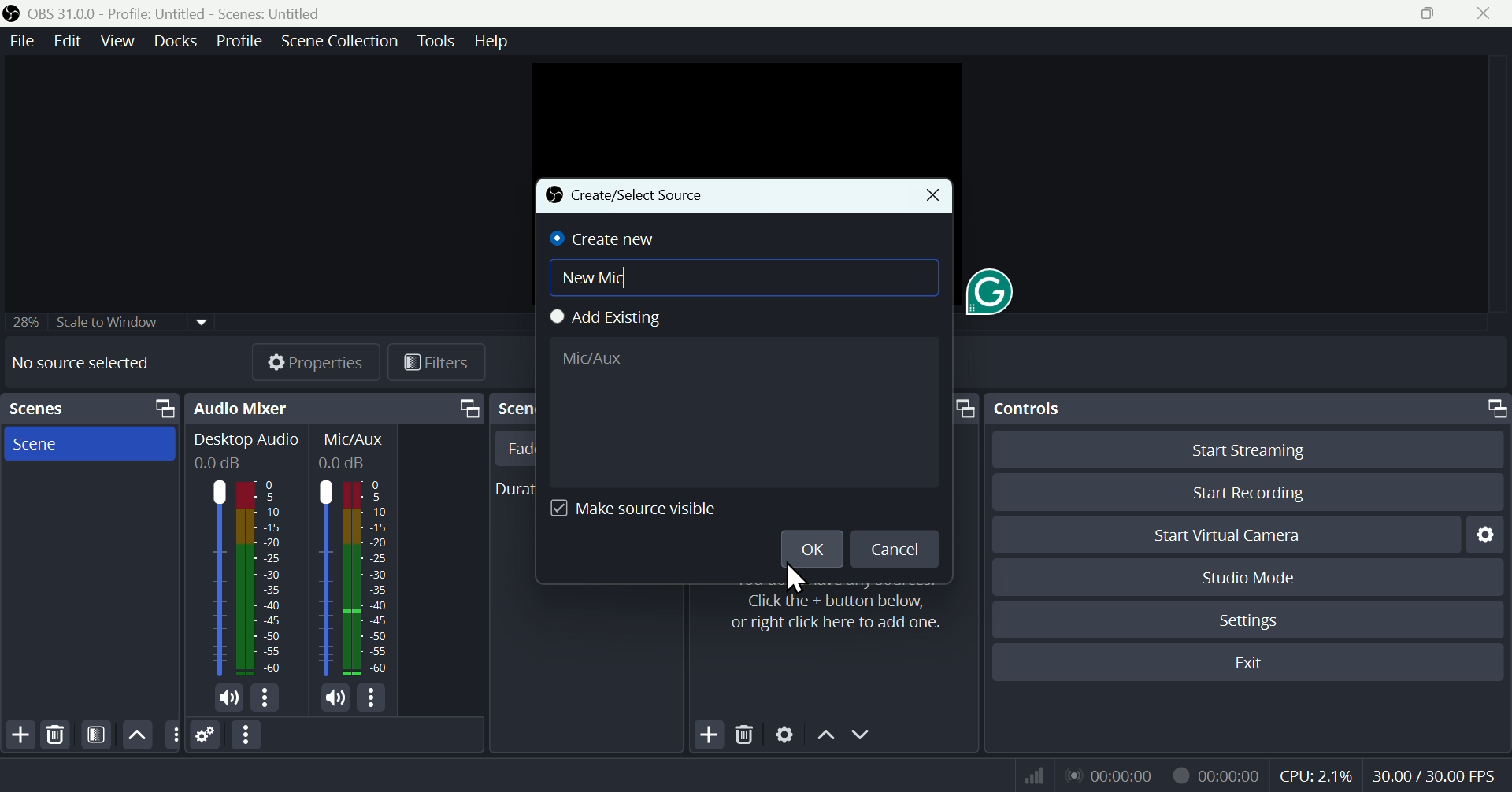  Describe the element at coordinates (220, 464) in the screenshot. I see `0.0dB` at that location.